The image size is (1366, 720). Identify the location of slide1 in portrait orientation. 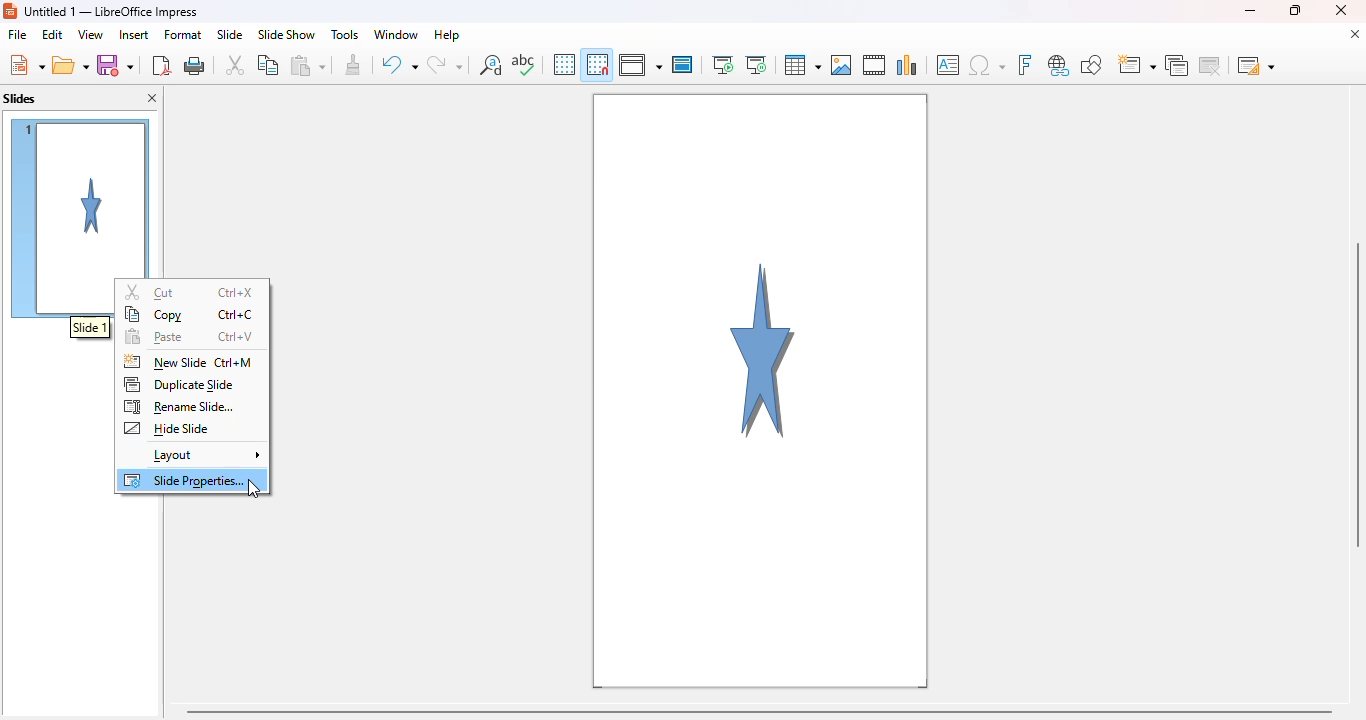
(761, 391).